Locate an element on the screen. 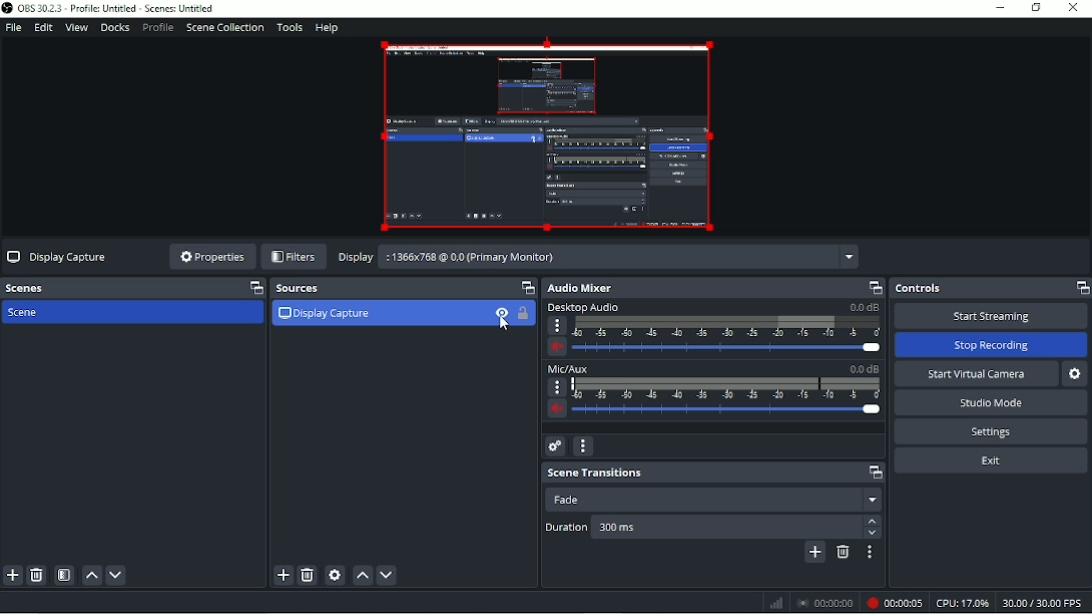  Open scene filters is located at coordinates (64, 576).